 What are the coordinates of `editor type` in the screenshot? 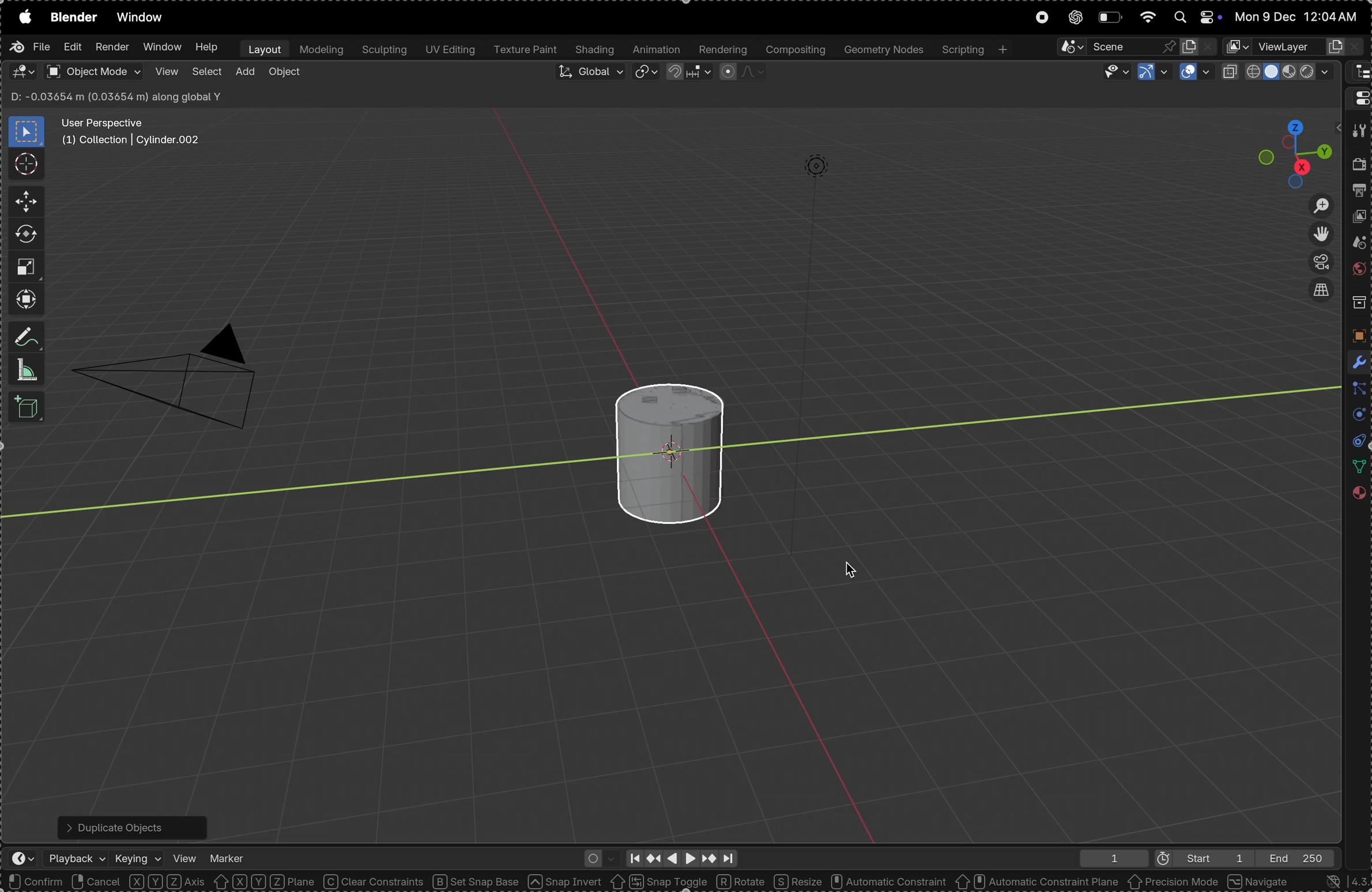 It's located at (1358, 73).